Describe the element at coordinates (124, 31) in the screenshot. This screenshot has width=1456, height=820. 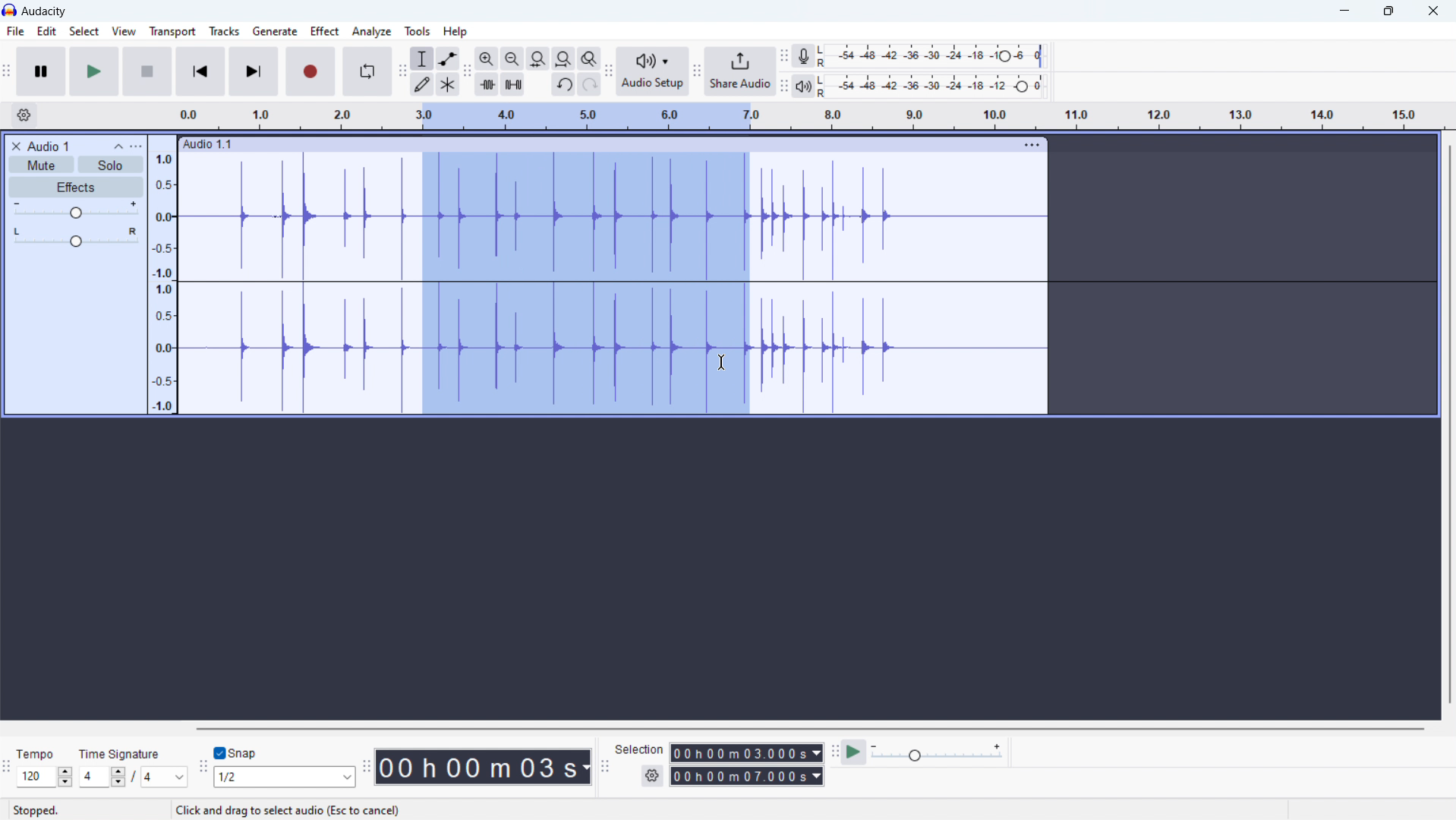
I see `view` at that location.